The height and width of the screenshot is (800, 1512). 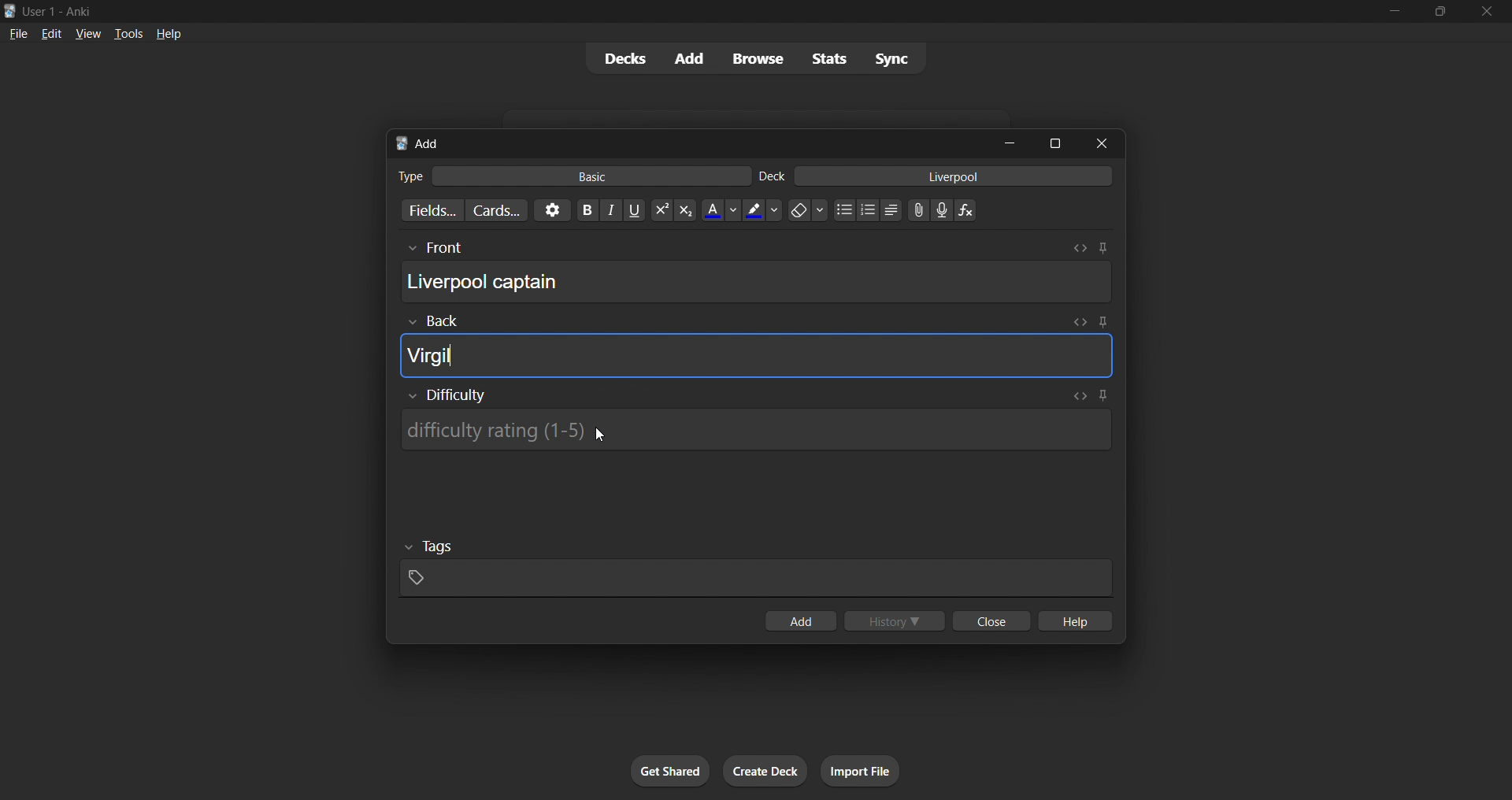 What do you see at coordinates (860, 771) in the screenshot?
I see `import file` at bounding box center [860, 771].